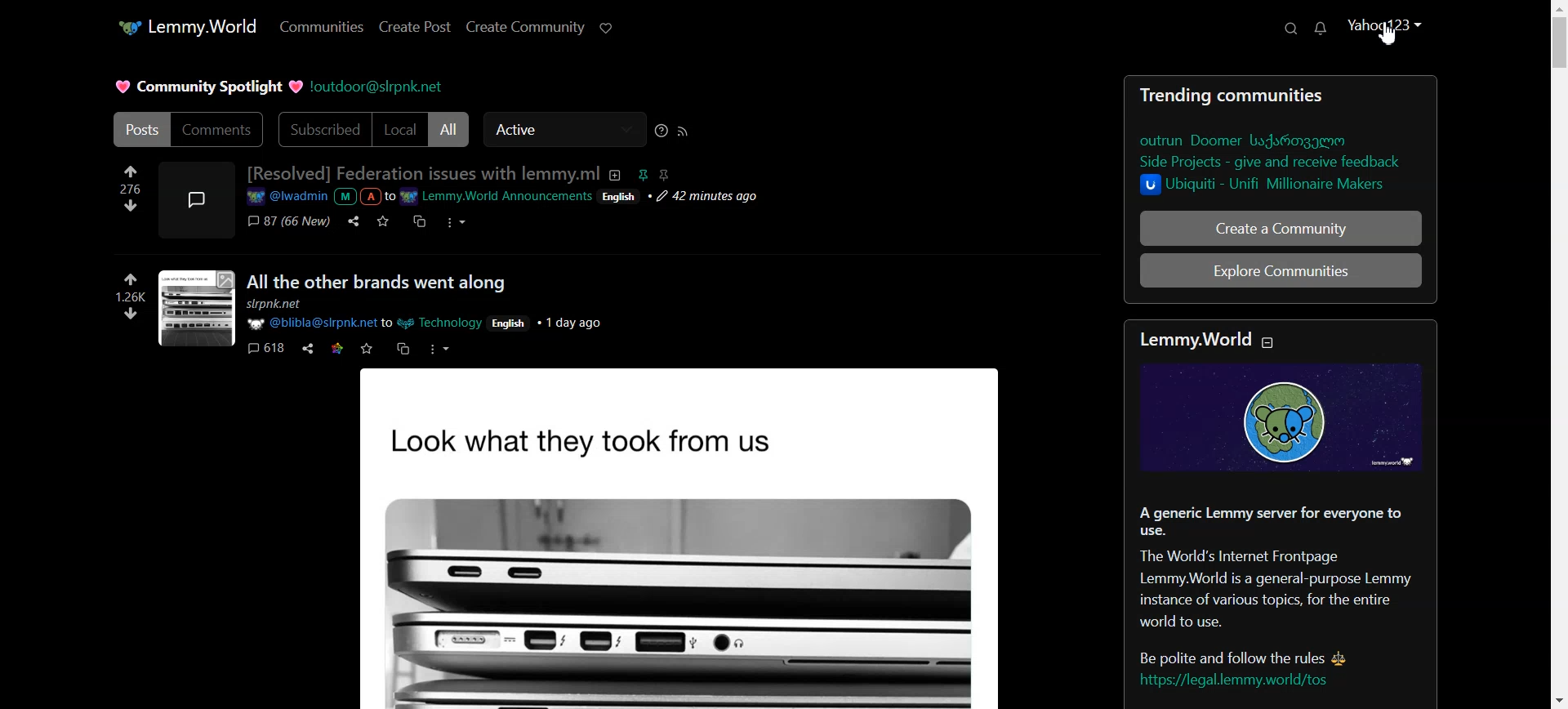 This screenshot has width=1568, height=709. What do you see at coordinates (388, 323) in the screenshot?
I see `to` at bounding box center [388, 323].